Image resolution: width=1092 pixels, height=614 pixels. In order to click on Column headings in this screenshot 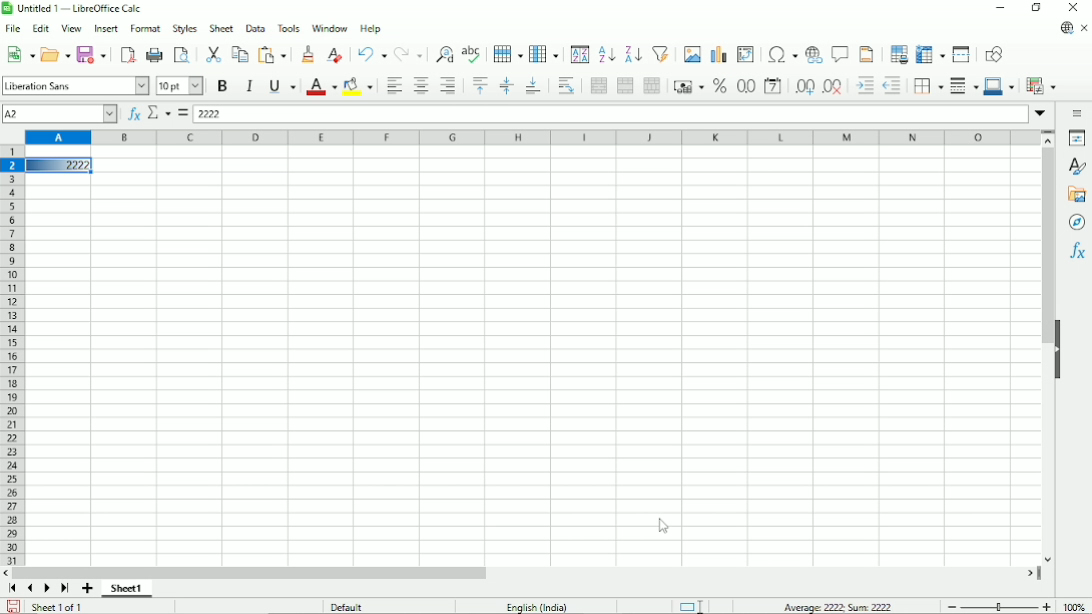, I will do `click(533, 137)`.